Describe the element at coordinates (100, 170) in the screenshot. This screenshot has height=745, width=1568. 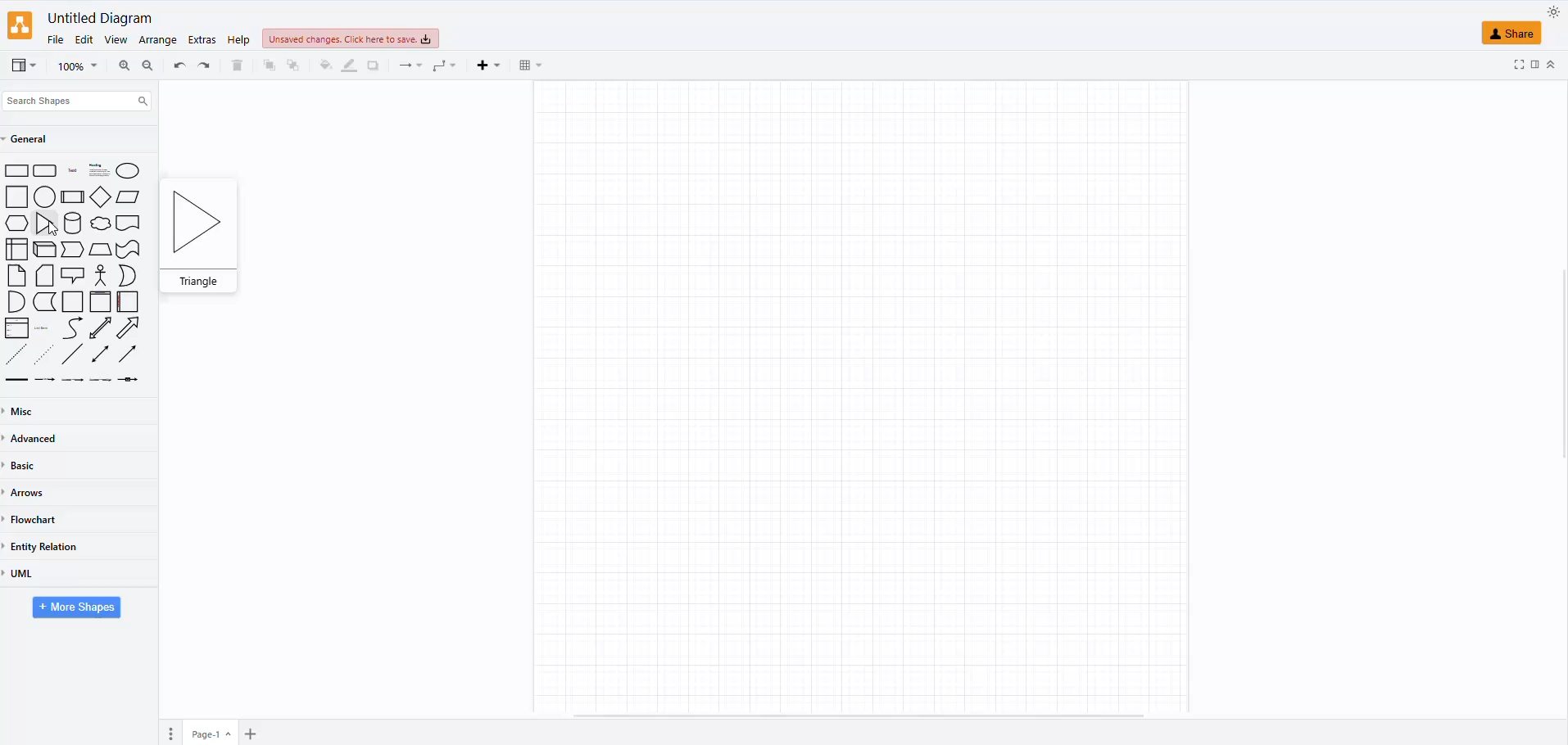
I see `Subtitle` at that location.